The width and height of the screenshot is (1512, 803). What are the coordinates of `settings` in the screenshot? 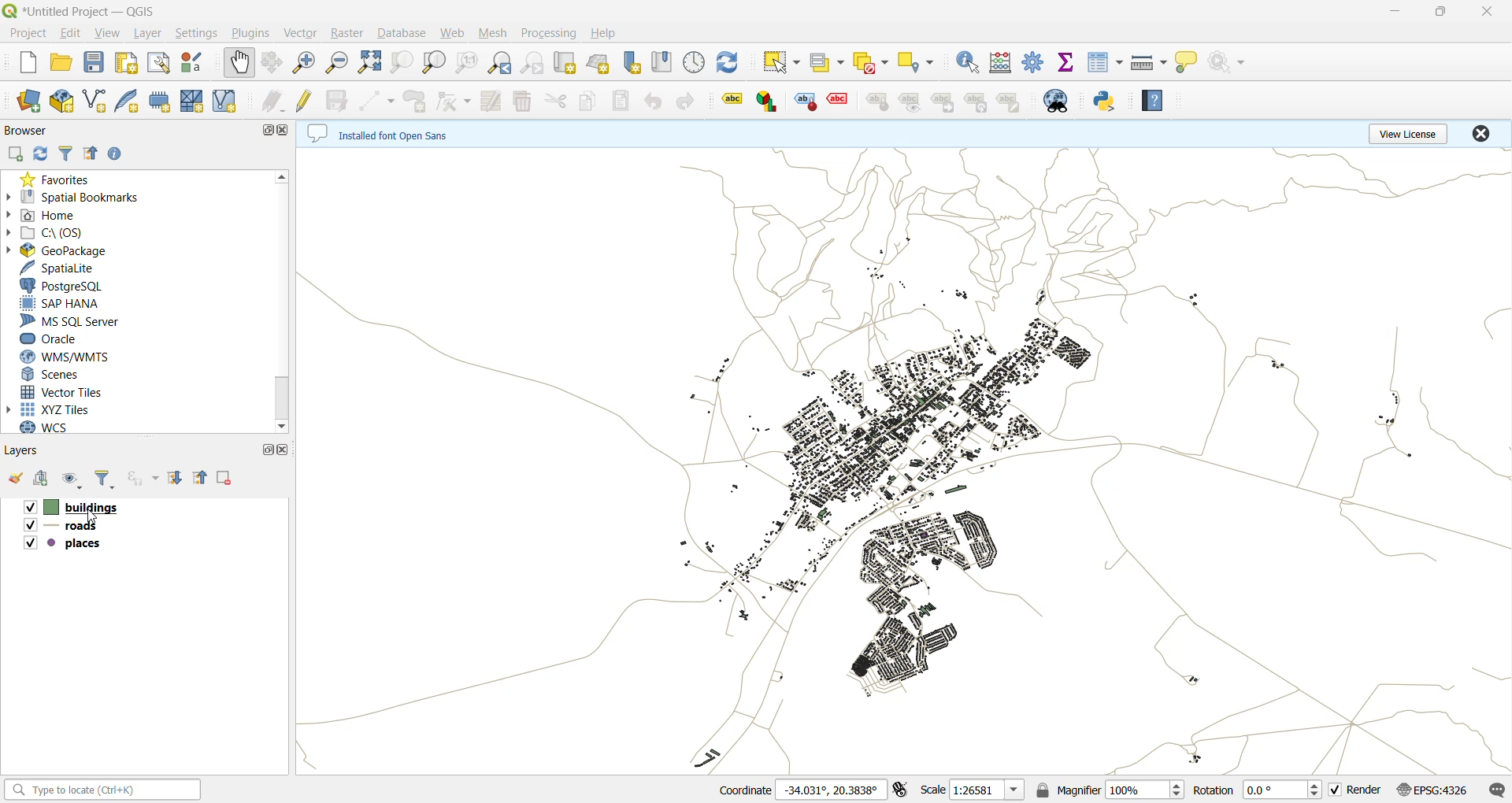 It's located at (197, 35).